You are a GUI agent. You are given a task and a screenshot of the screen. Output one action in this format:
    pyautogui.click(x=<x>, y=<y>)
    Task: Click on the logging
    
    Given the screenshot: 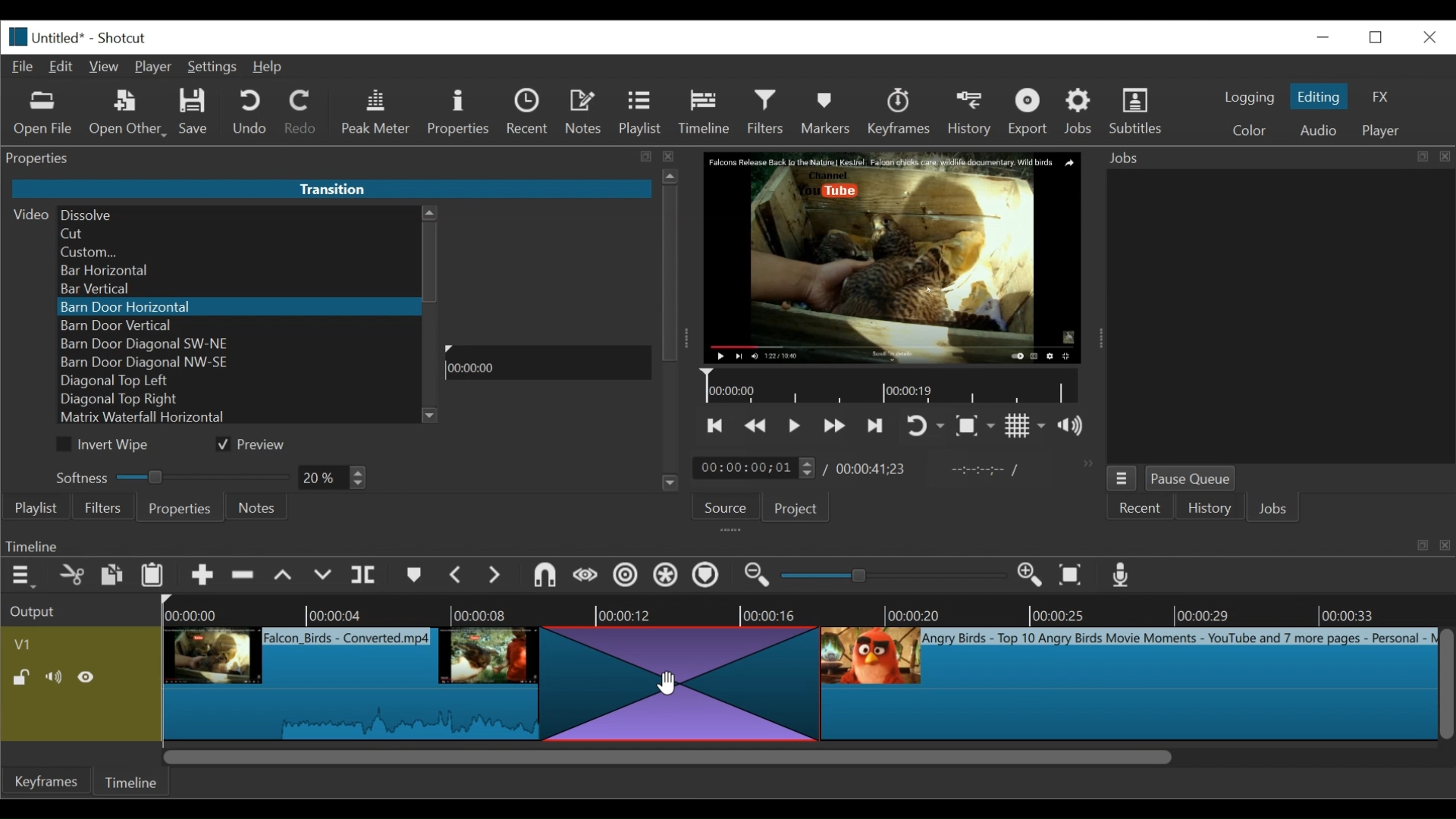 What is the action you would take?
    pyautogui.click(x=1250, y=99)
    